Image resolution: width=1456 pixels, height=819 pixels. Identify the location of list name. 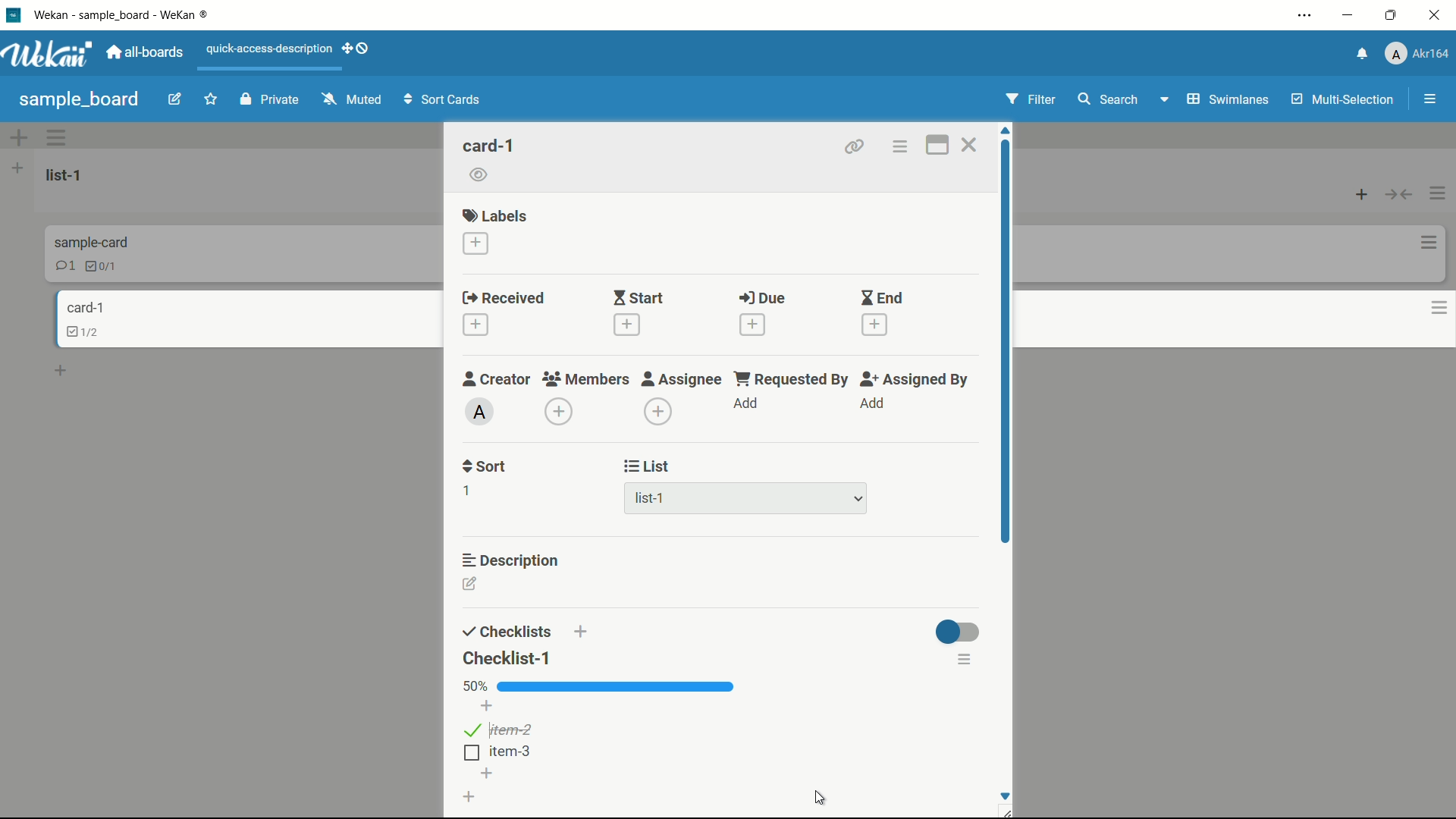
(69, 175).